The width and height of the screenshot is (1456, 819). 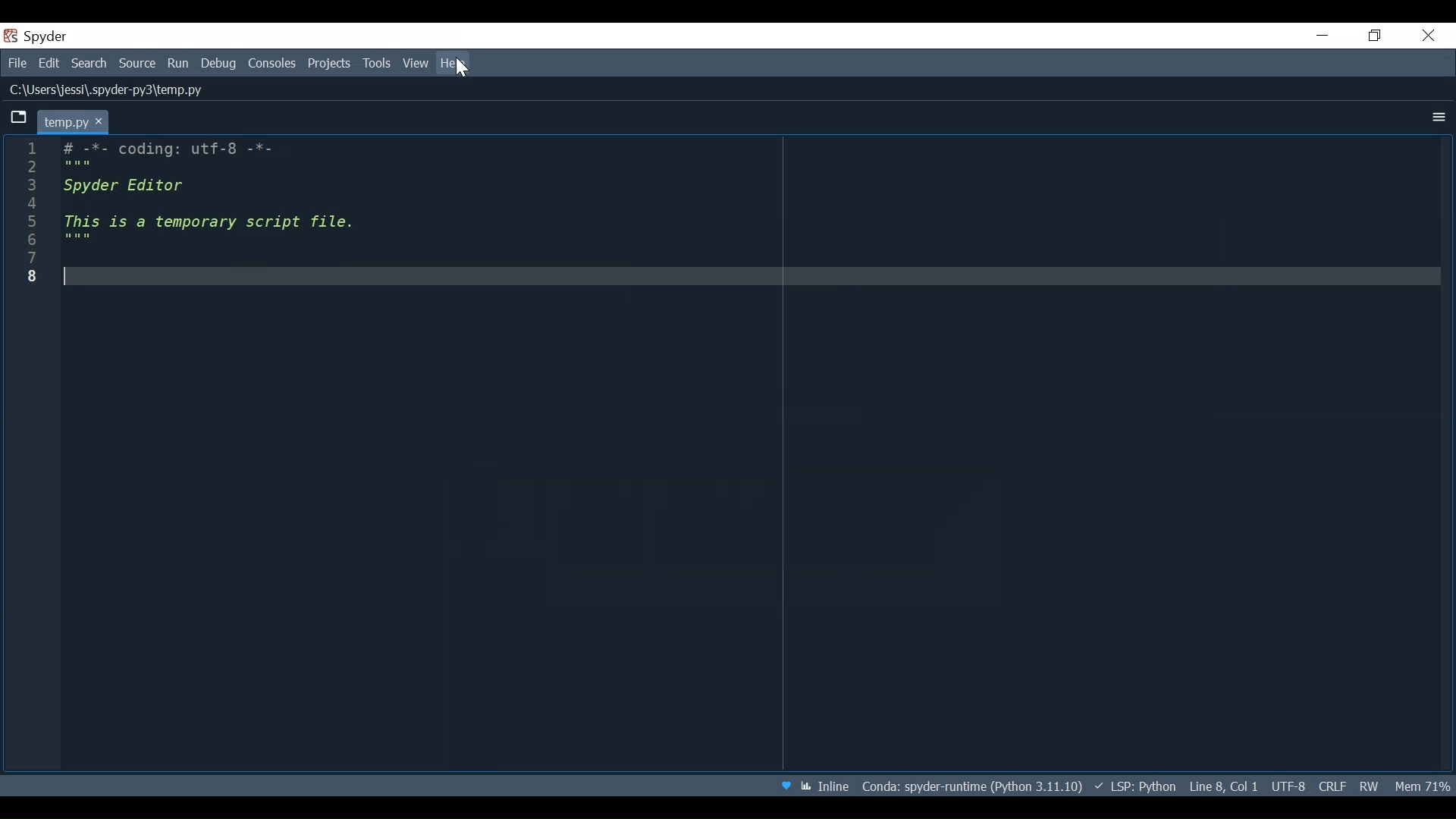 What do you see at coordinates (1332, 788) in the screenshot?
I see `File EQL Status` at bounding box center [1332, 788].